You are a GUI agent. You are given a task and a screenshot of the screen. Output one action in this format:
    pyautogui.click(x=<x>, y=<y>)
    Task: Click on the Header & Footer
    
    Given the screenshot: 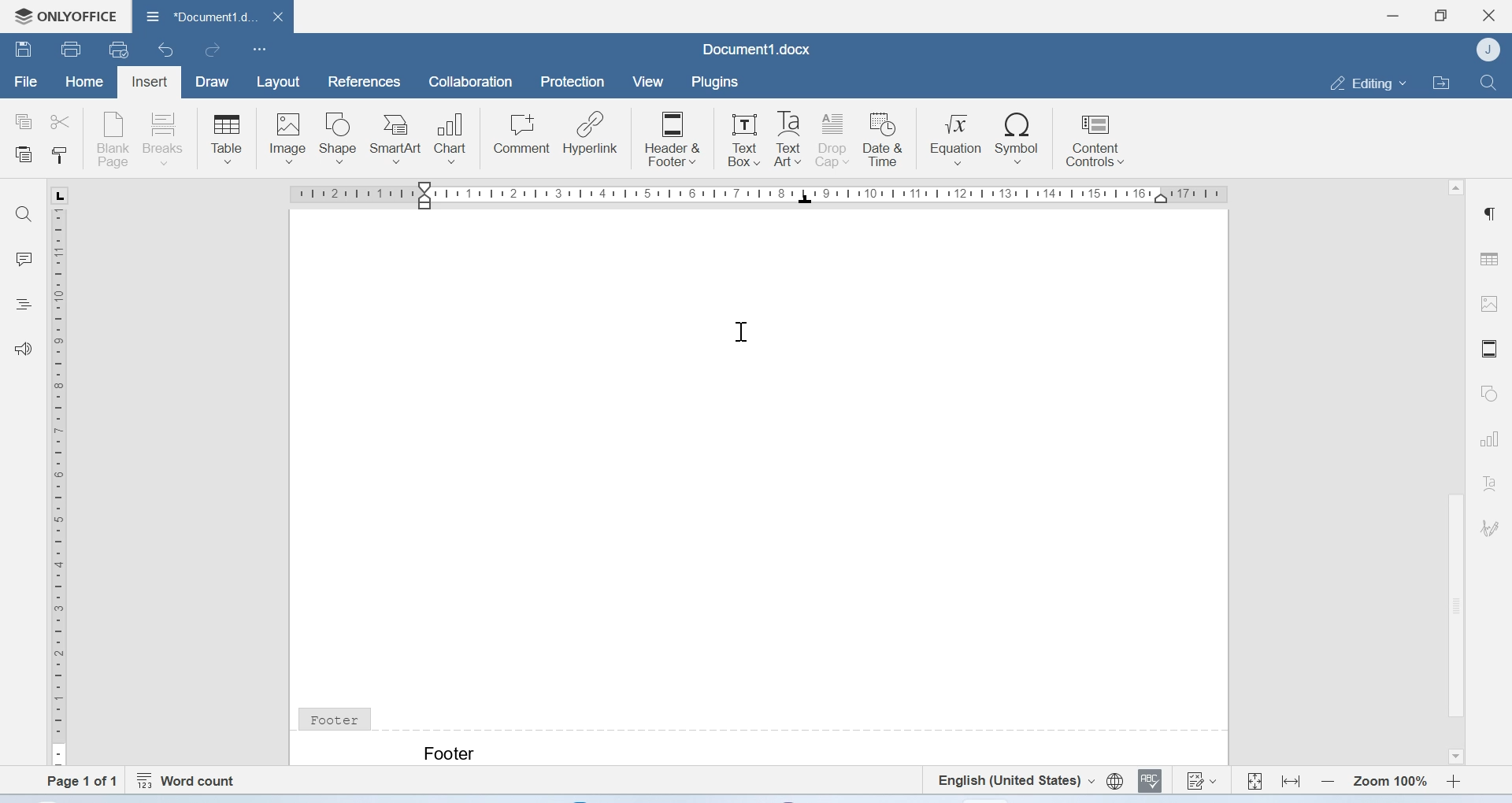 What is the action you would take?
    pyautogui.click(x=672, y=138)
    